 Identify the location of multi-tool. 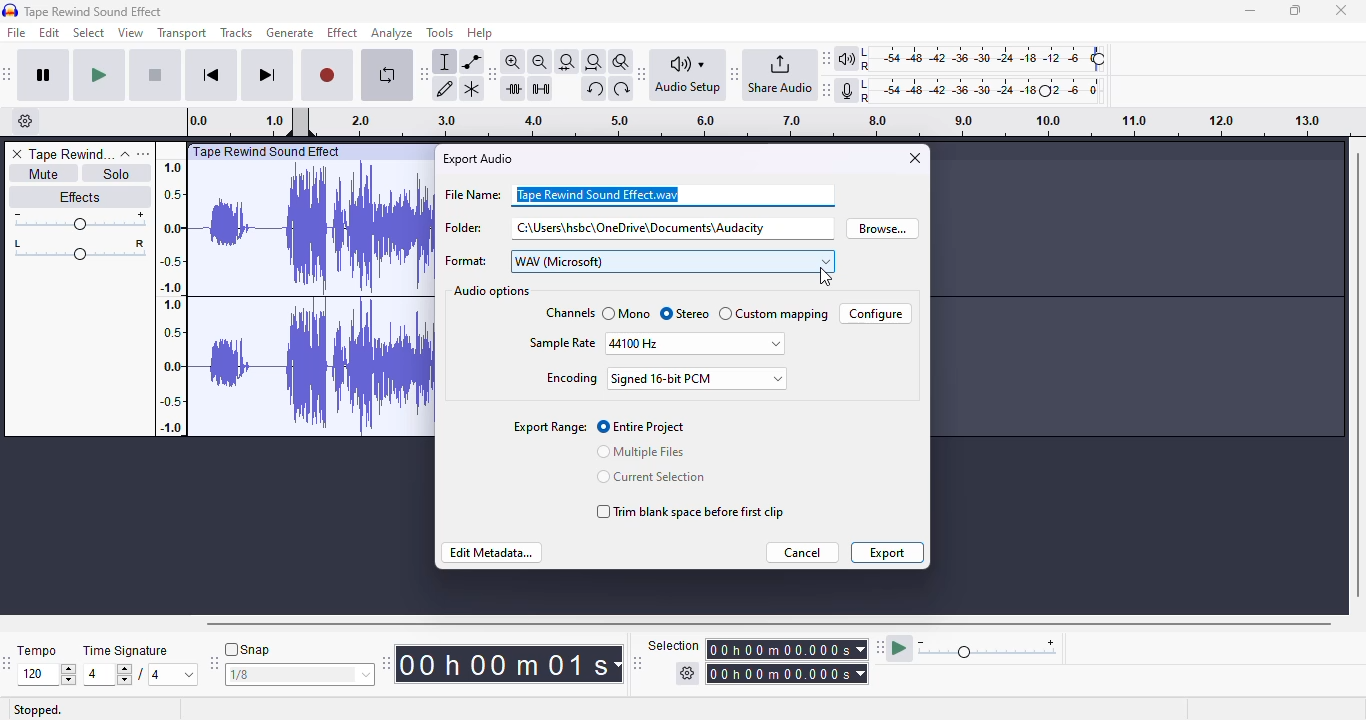
(471, 89).